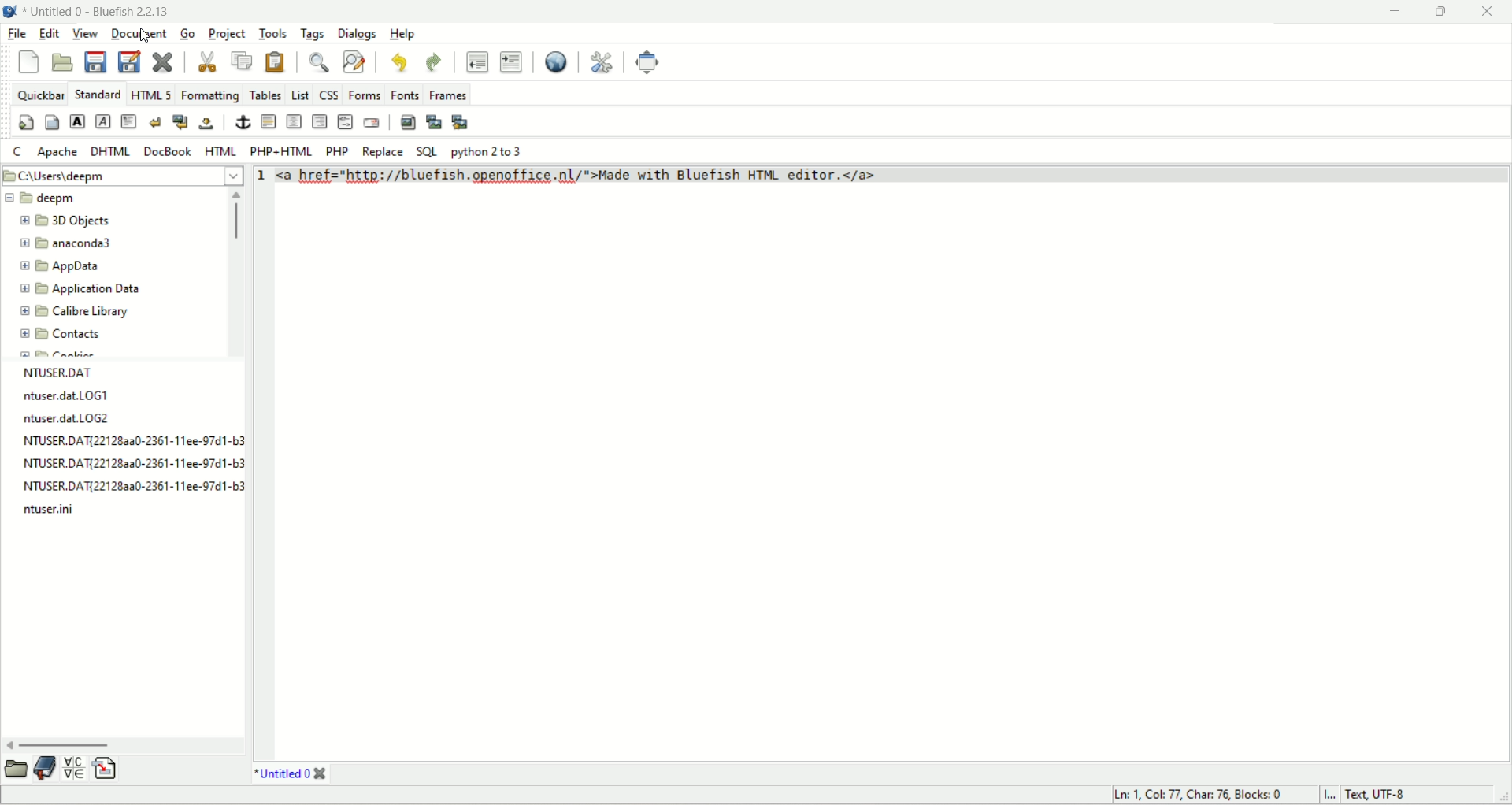 The image size is (1512, 805). What do you see at coordinates (298, 93) in the screenshot?
I see `list` at bounding box center [298, 93].